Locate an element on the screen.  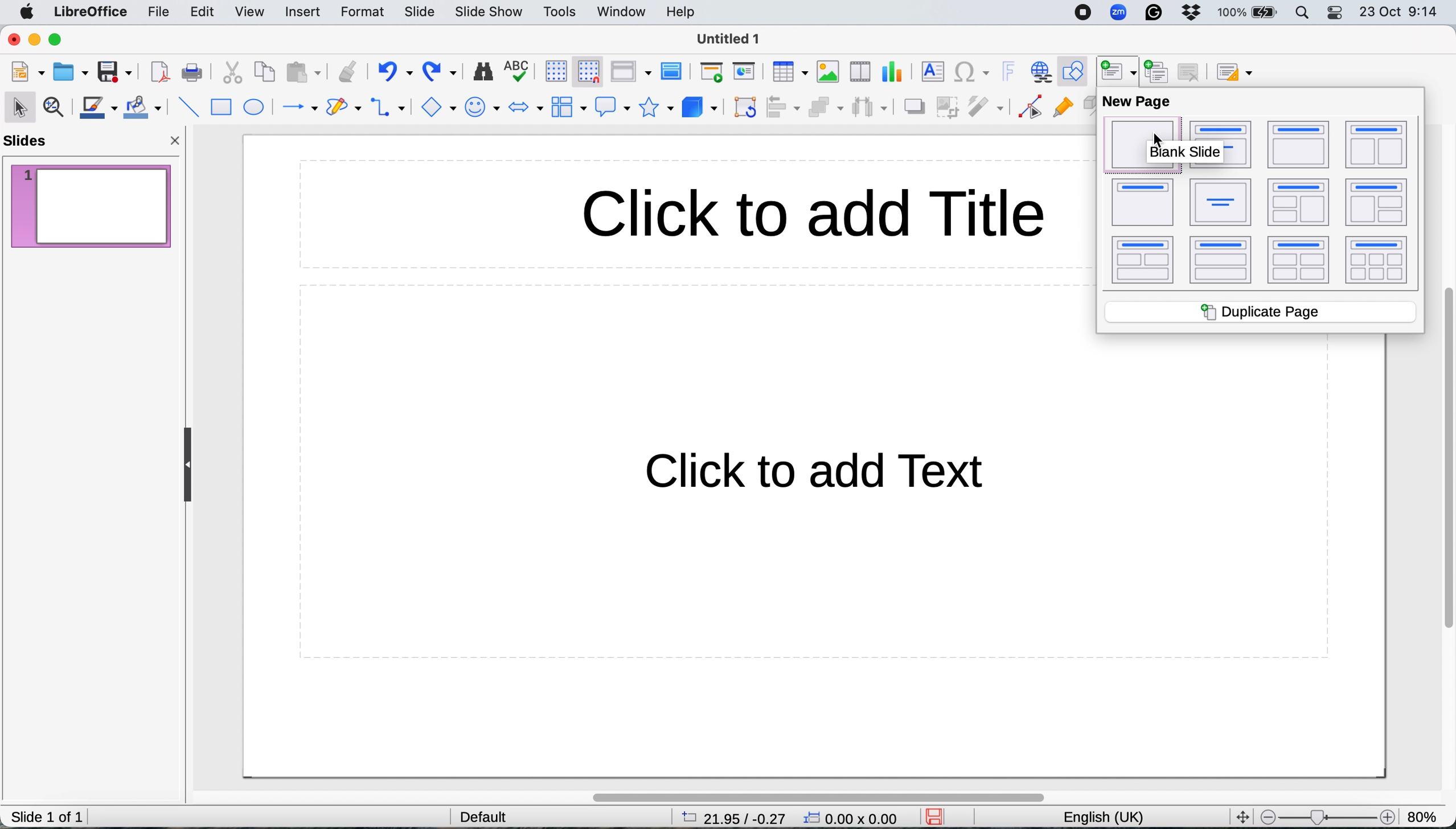
title 2 content over content is located at coordinates (1144, 262).